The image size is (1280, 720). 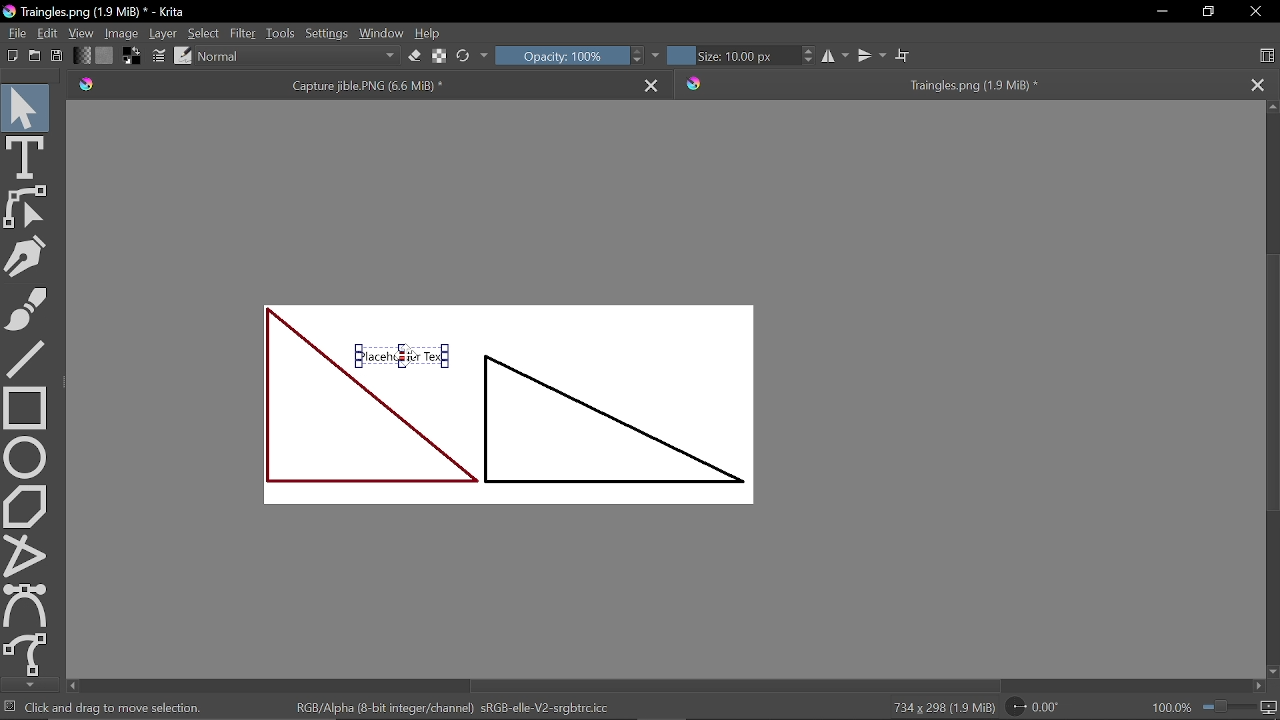 What do you see at coordinates (281, 32) in the screenshot?
I see `Tools` at bounding box center [281, 32].